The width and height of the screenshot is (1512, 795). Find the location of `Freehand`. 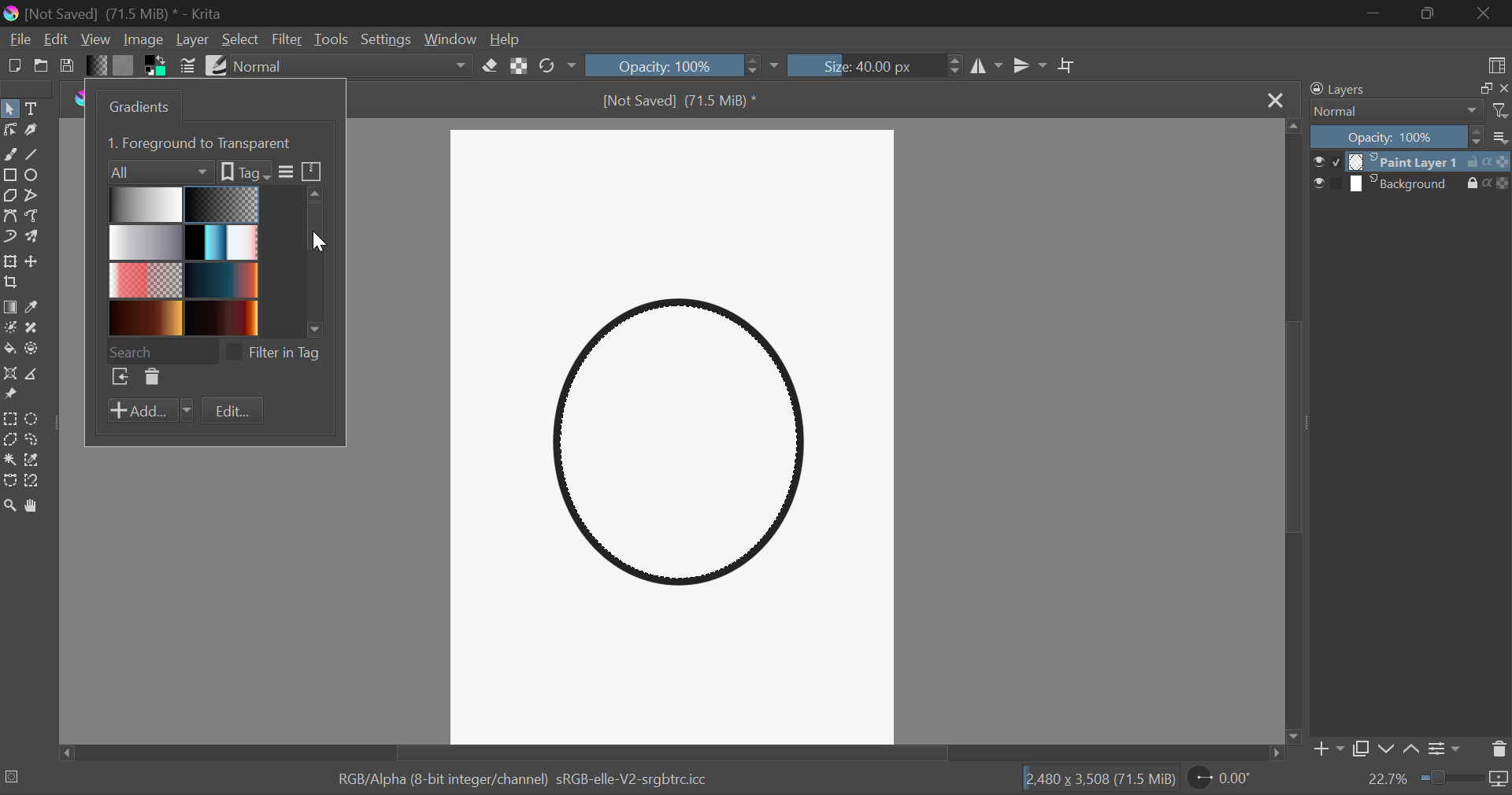

Freehand is located at coordinates (9, 155).